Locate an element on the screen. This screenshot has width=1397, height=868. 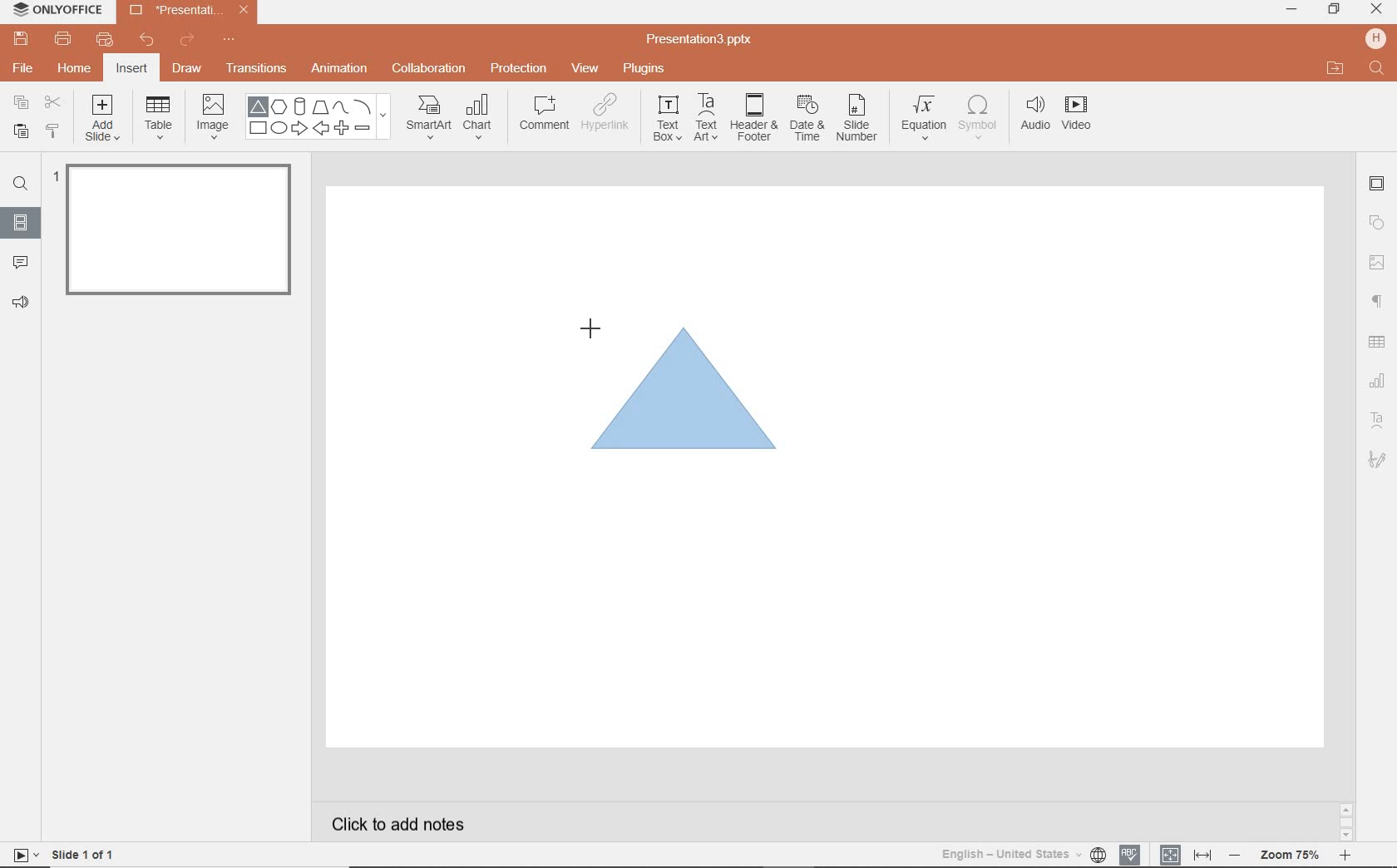
UNDO is located at coordinates (148, 41).